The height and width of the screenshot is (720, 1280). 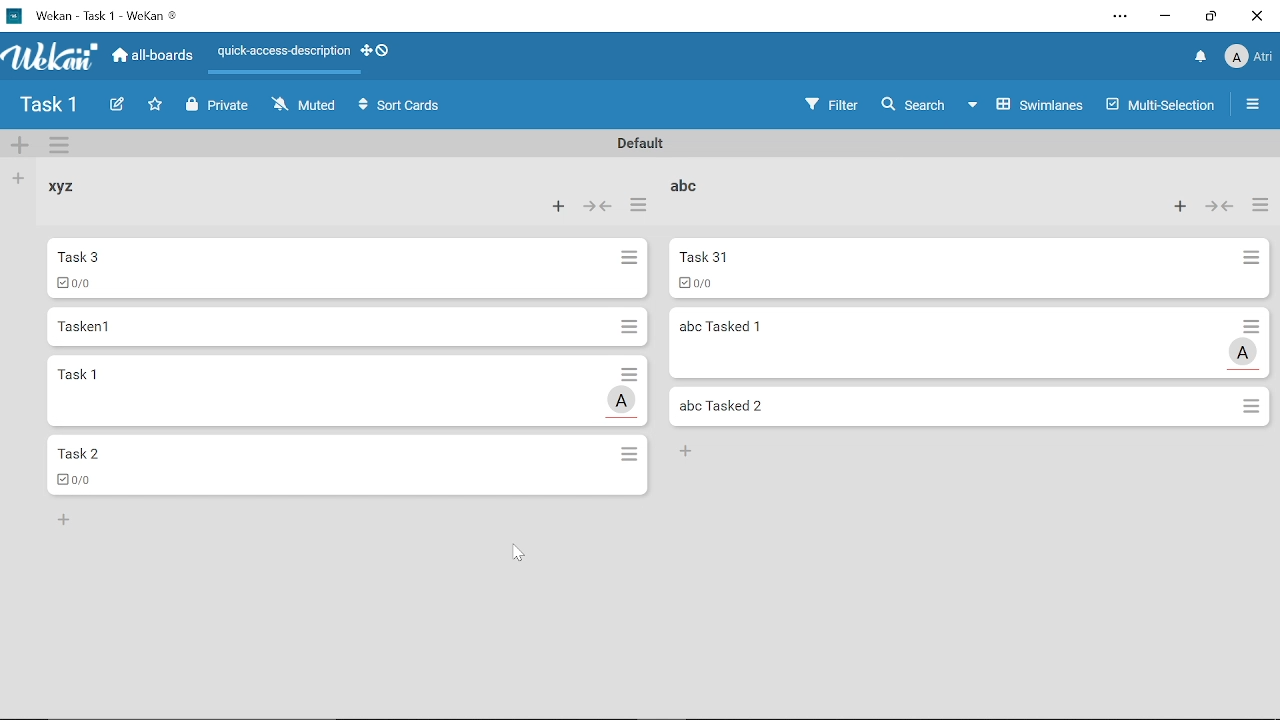 I want to click on Add, so click(x=548, y=205).